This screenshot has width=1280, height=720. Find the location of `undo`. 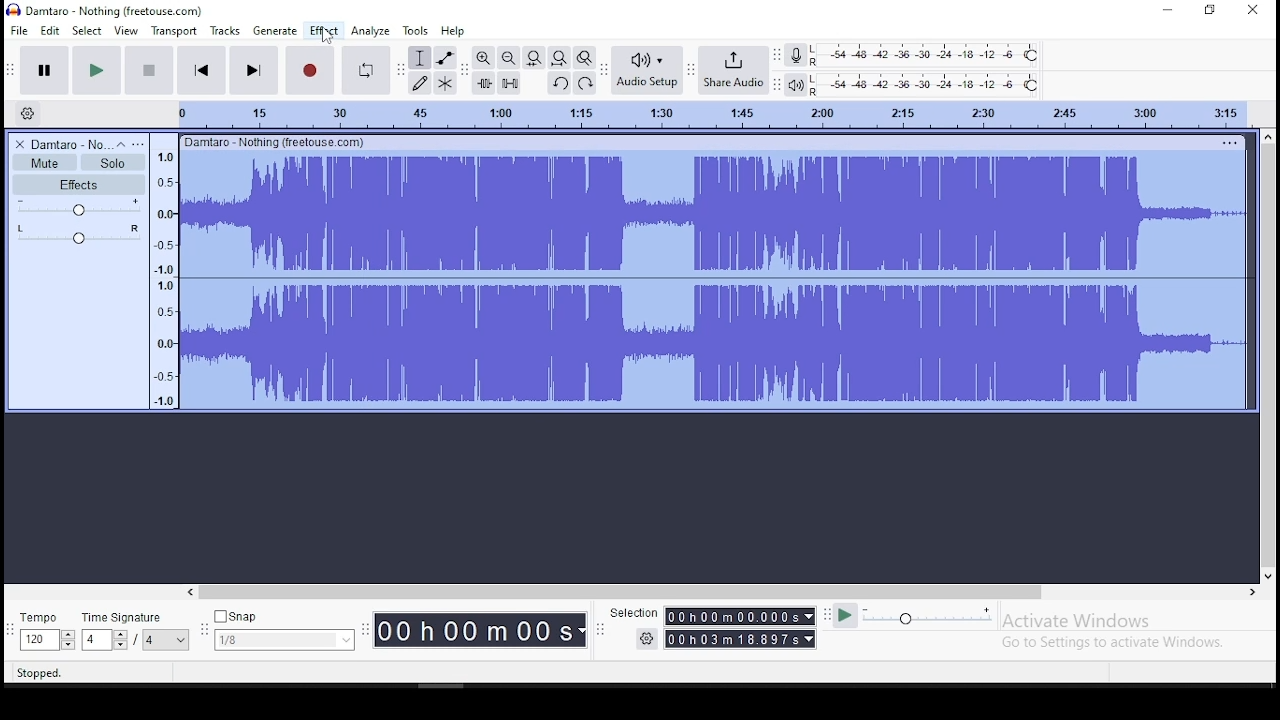

undo is located at coordinates (561, 84).